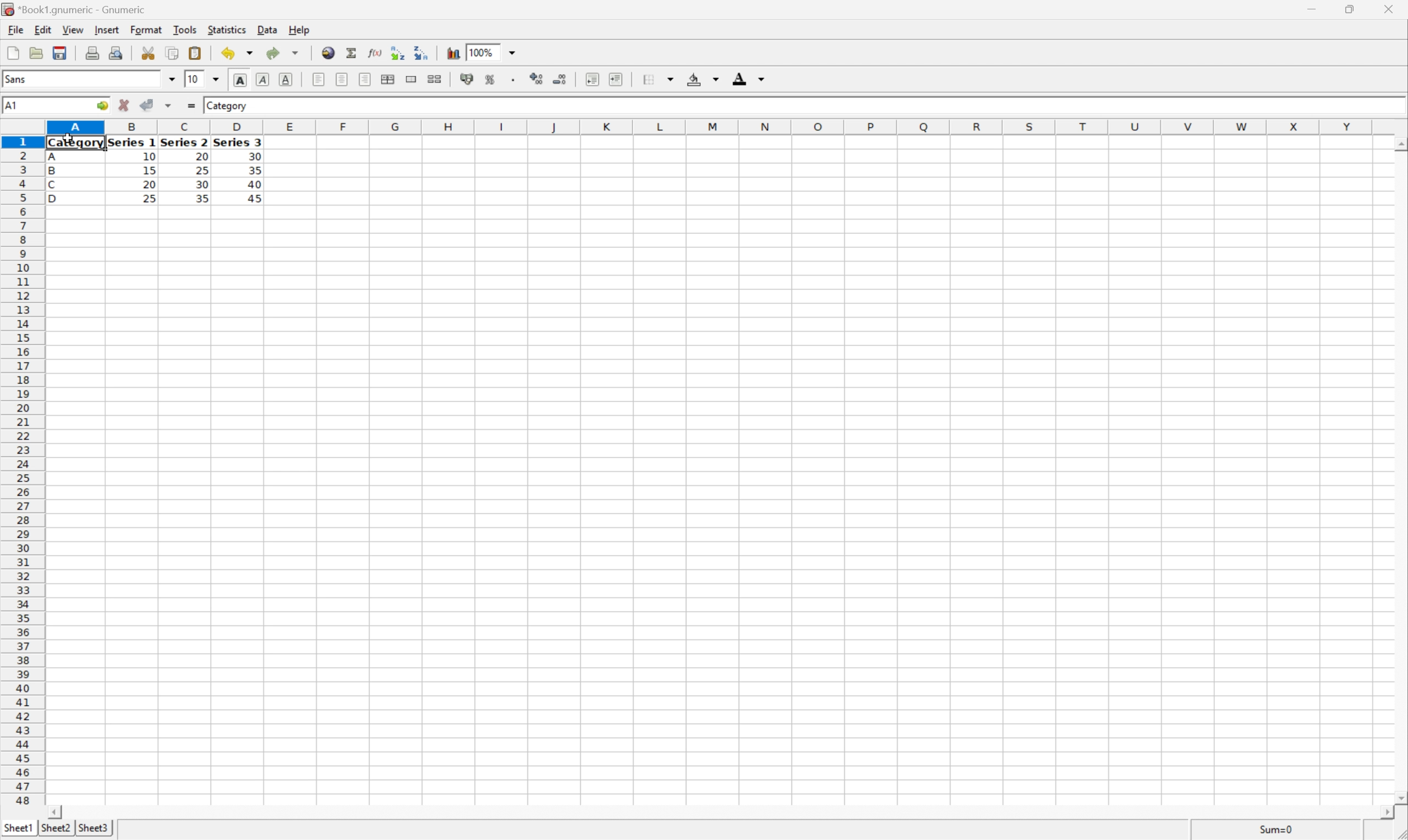 The height and width of the screenshot is (840, 1408). Describe the element at coordinates (615, 80) in the screenshot. I see `Increase indent, and align the contents to the left` at that location.